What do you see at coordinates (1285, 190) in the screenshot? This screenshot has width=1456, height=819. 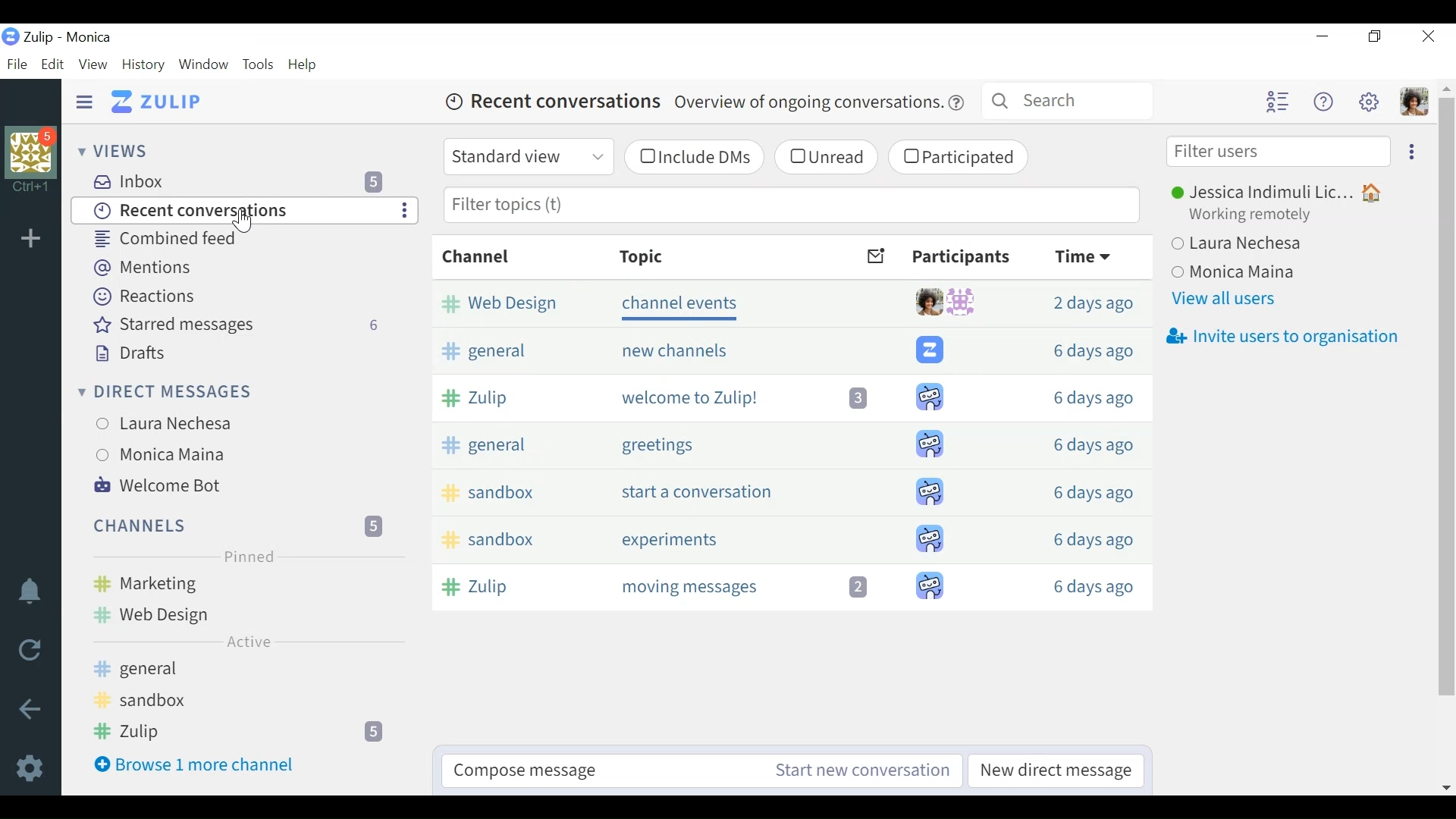 I see `Jessica Indimuli Lic...` at bounding box center [1285, 190].